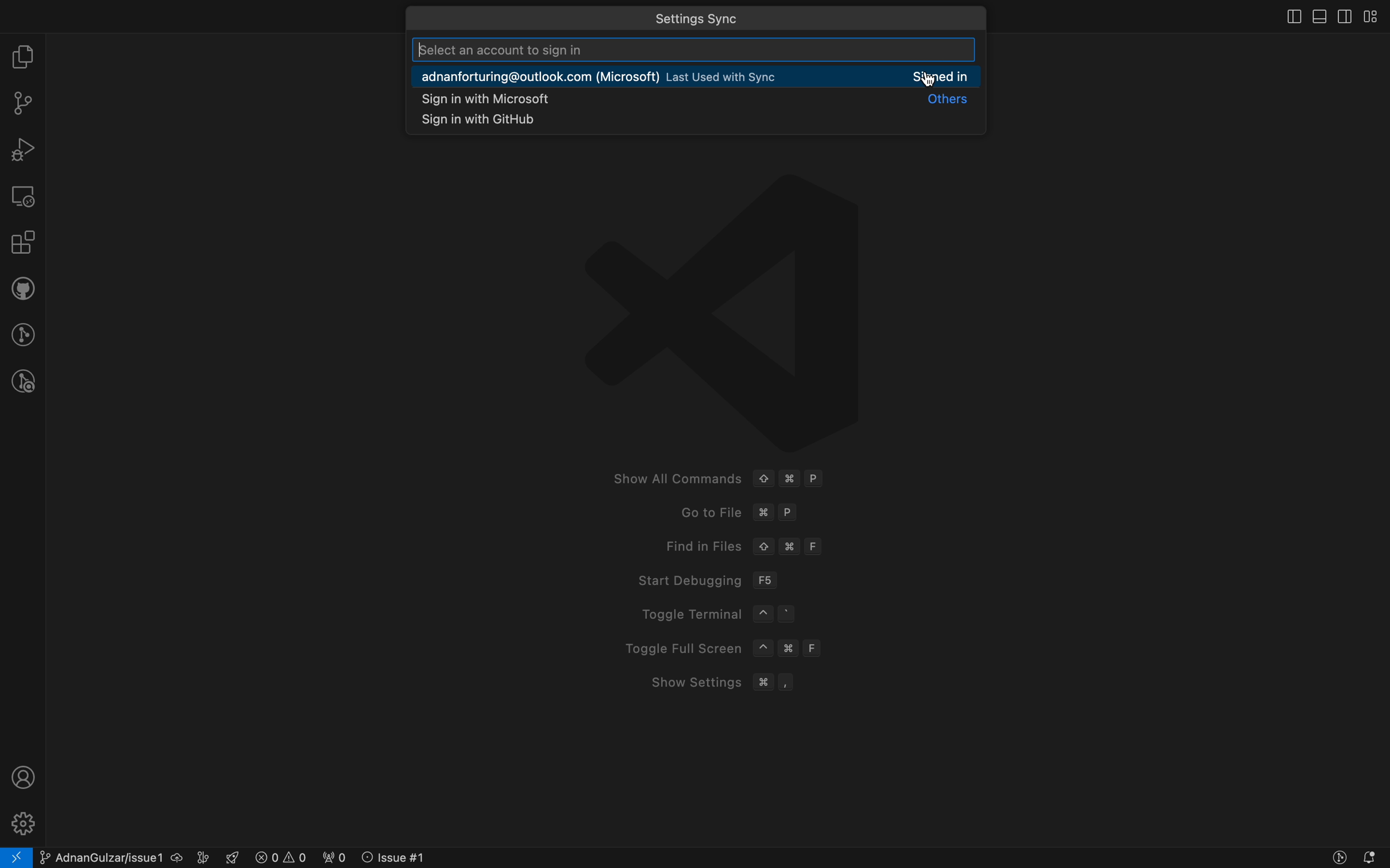  Describe the element at coordinates (22, 332) in the screenshot. I see `gitlens` at that location.